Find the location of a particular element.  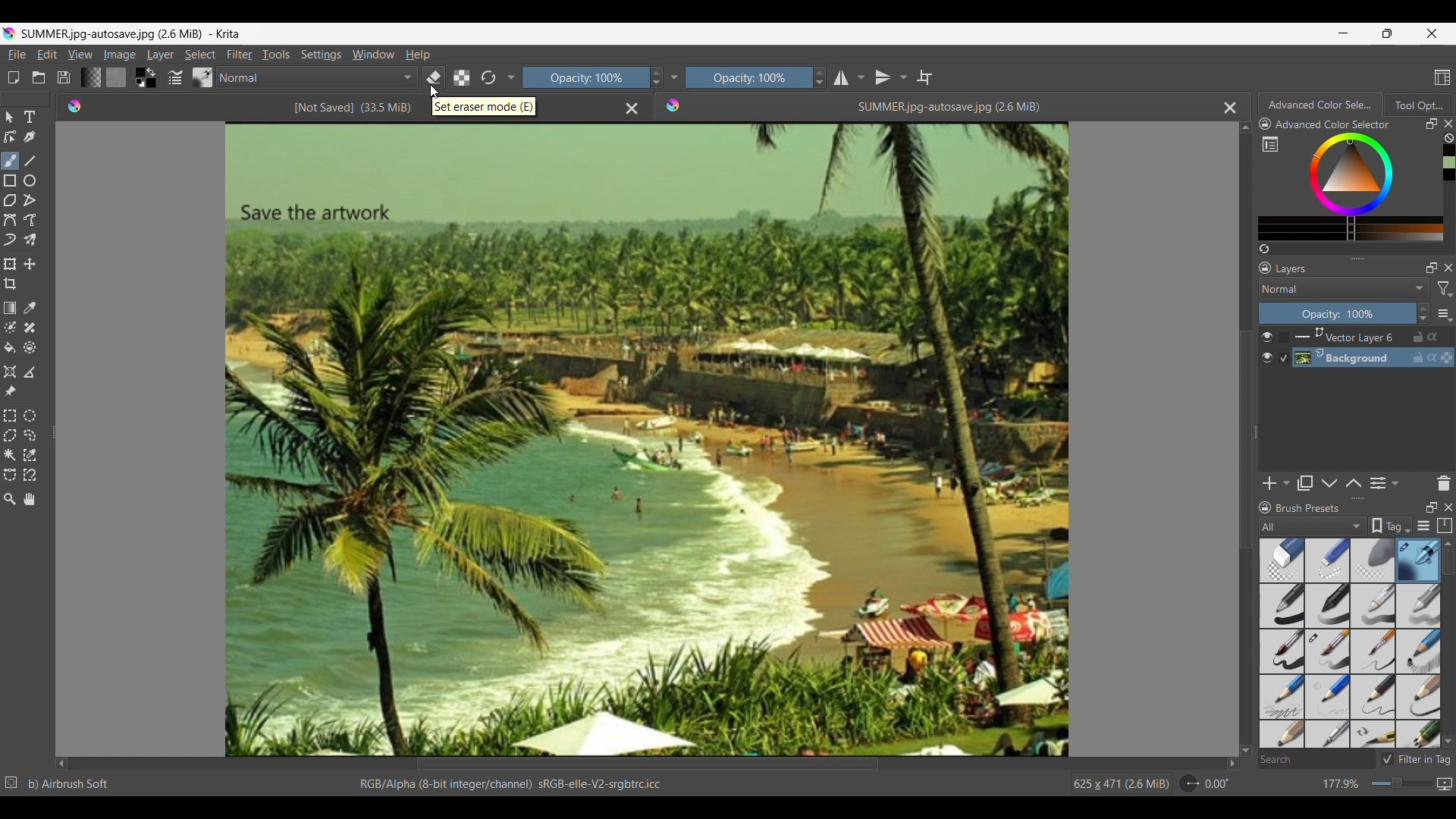

File is located at coordinates (16, 55).